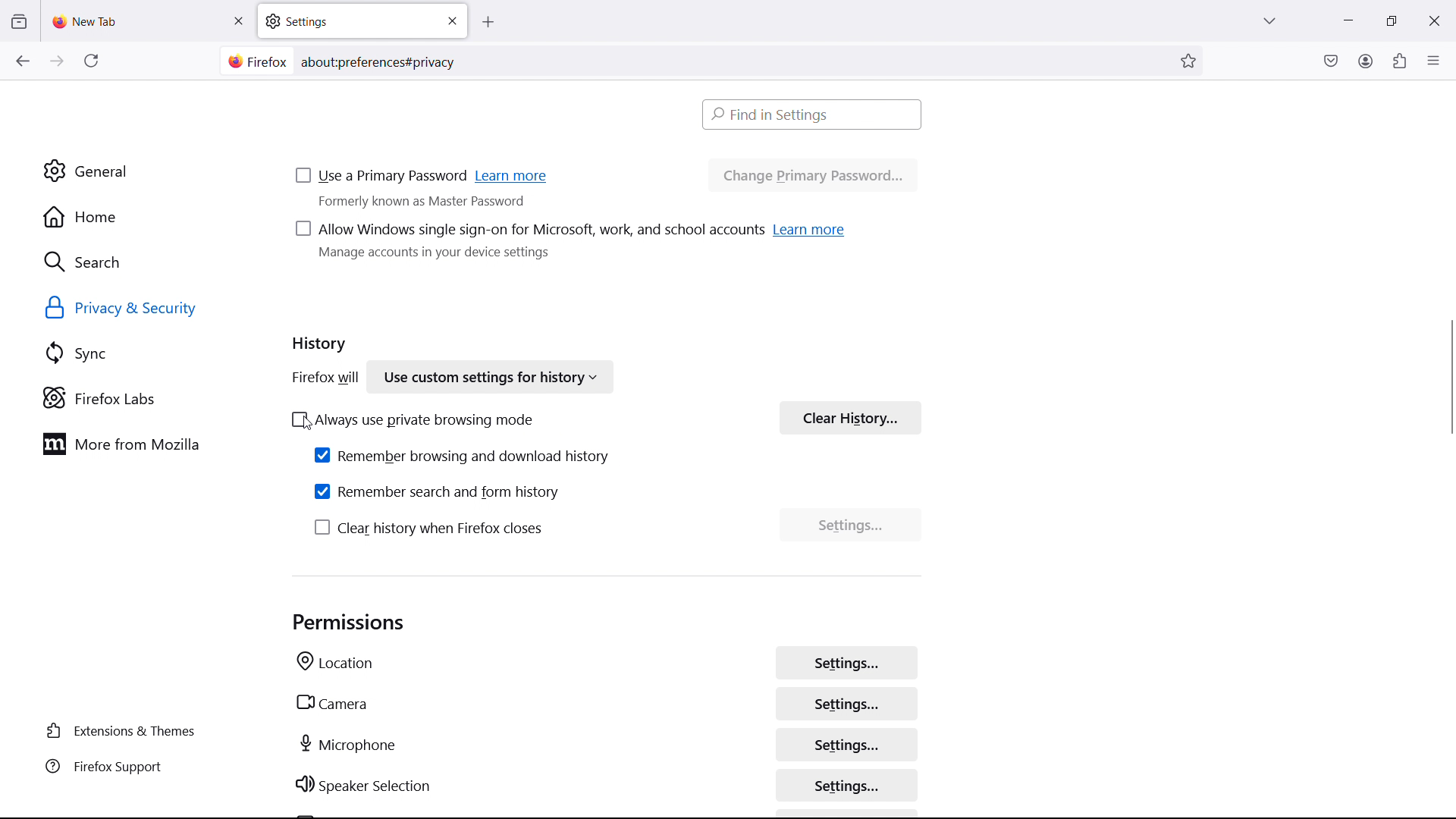 The height and width of the screenshot is (819, 1456). I want to click on speaker selection permission settings, so click(849, 785).